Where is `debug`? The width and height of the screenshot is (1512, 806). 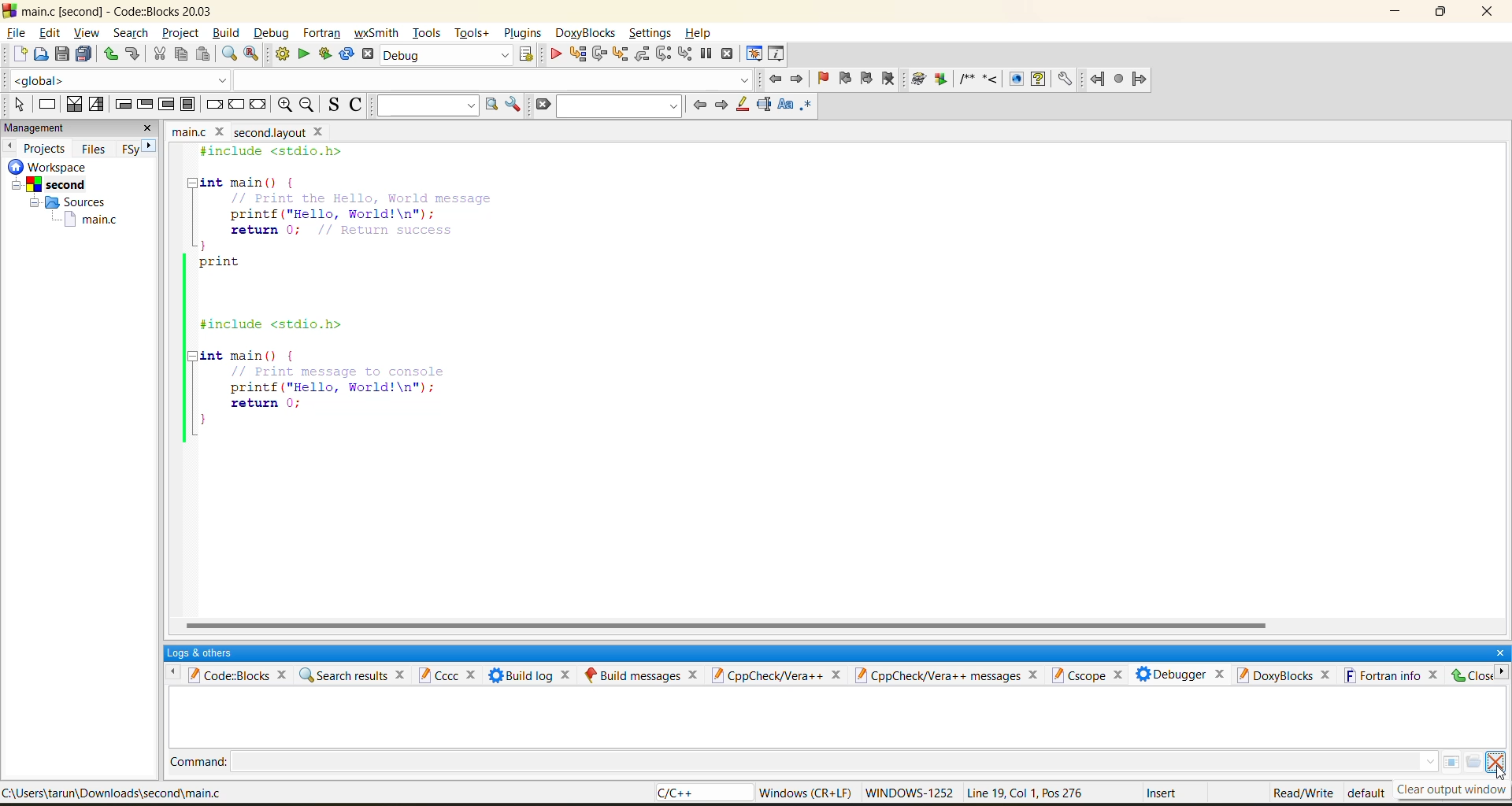 debug is located at coordinates (273, 35).